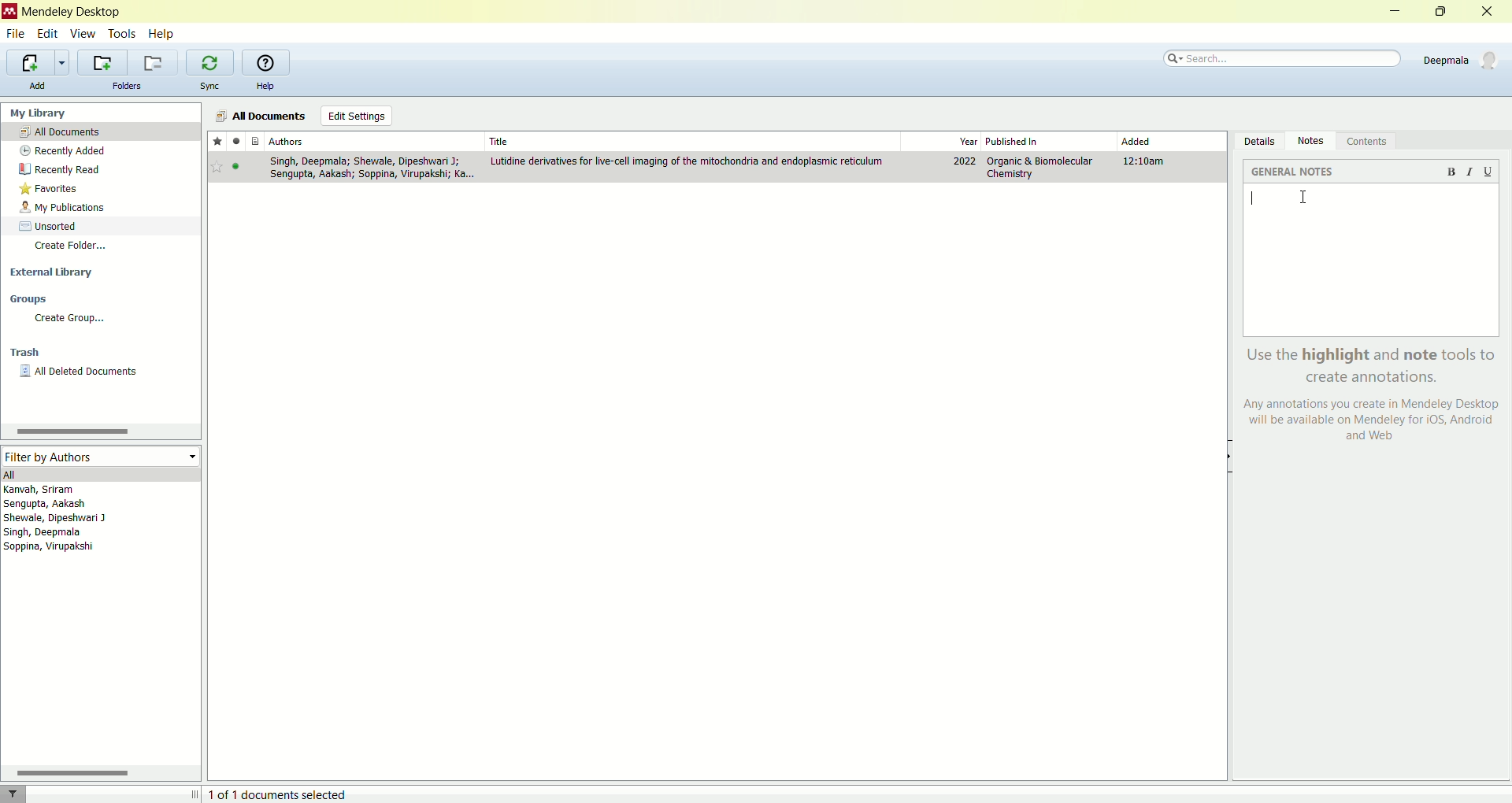 The image size is (1512, 803). Describe the element at coordinates (126, 86) in the screenshot. I see `folders` at that location.